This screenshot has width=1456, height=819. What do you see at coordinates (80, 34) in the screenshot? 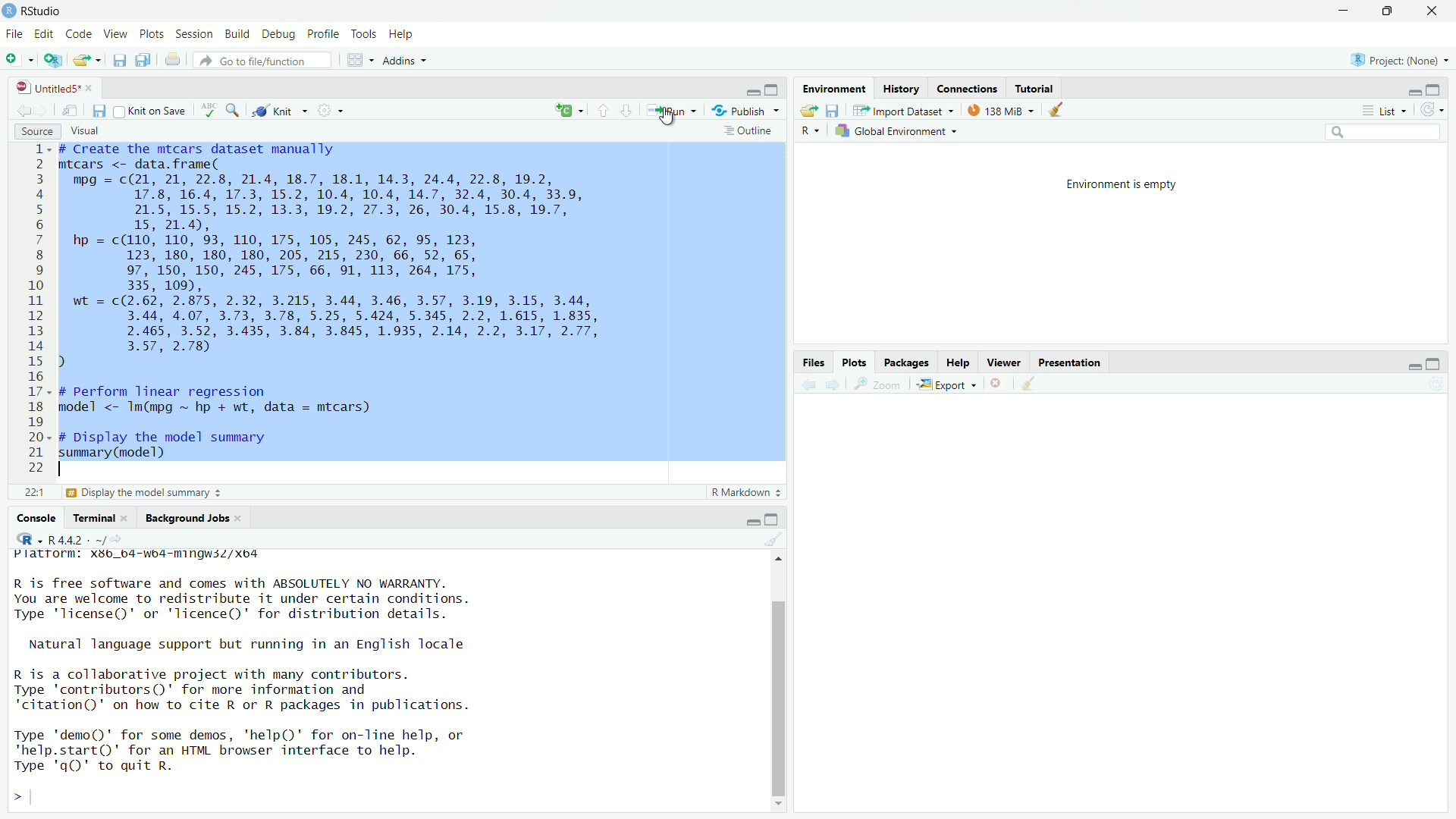
I see `code` at bounding box center [80, 34].